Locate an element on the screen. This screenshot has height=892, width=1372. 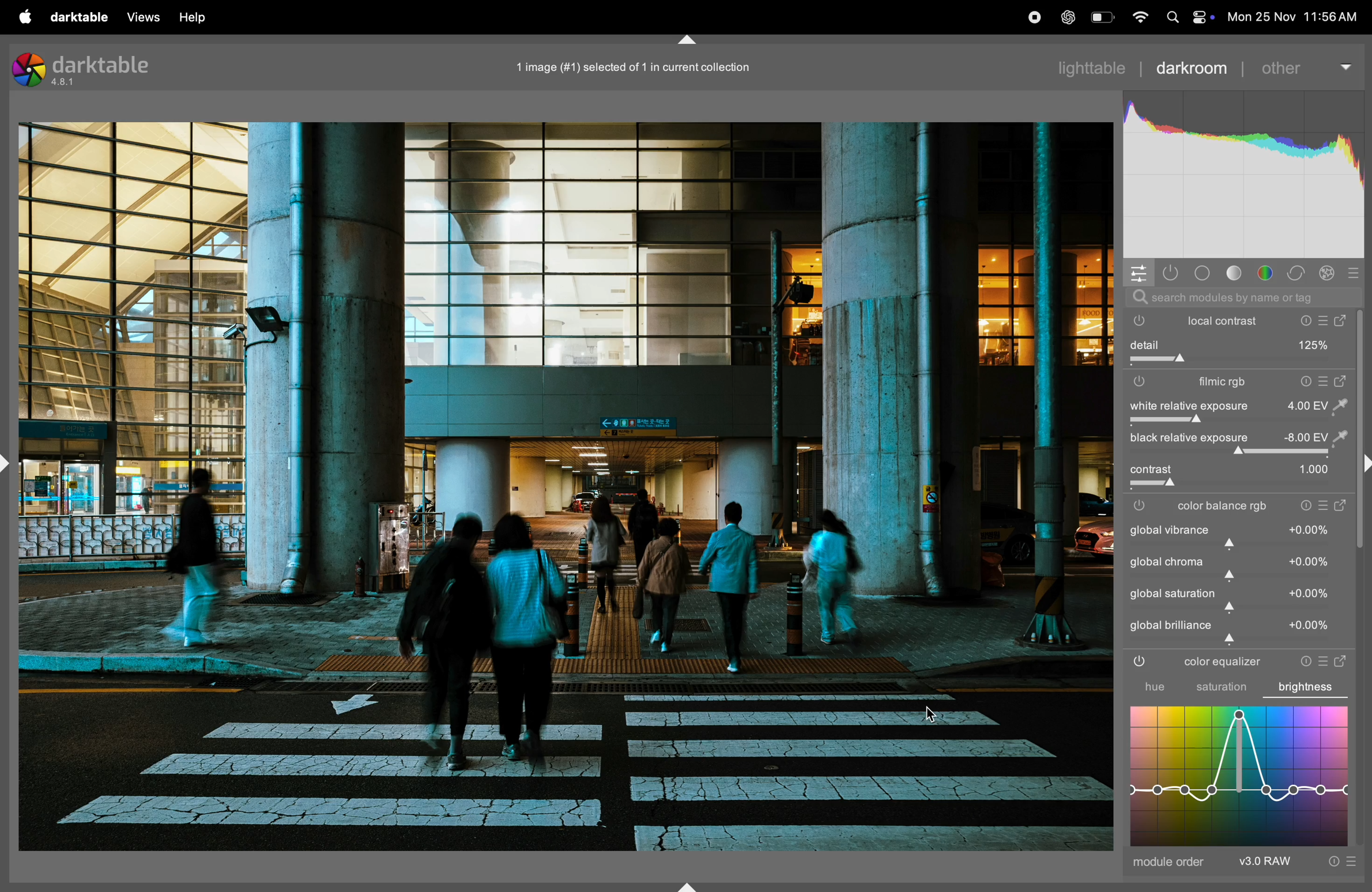
chatgpt is located at coordinates (1071, 17).